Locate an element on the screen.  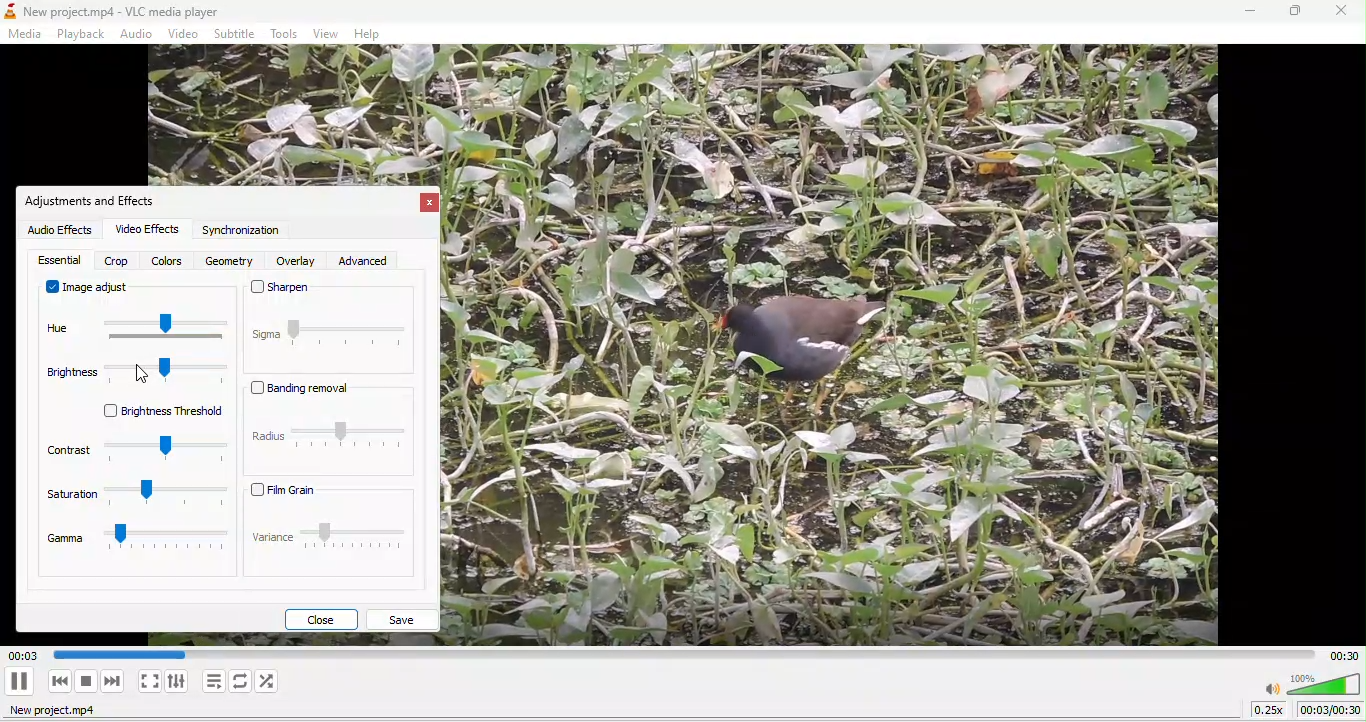
flim grain is located at coordinates (332, 491).